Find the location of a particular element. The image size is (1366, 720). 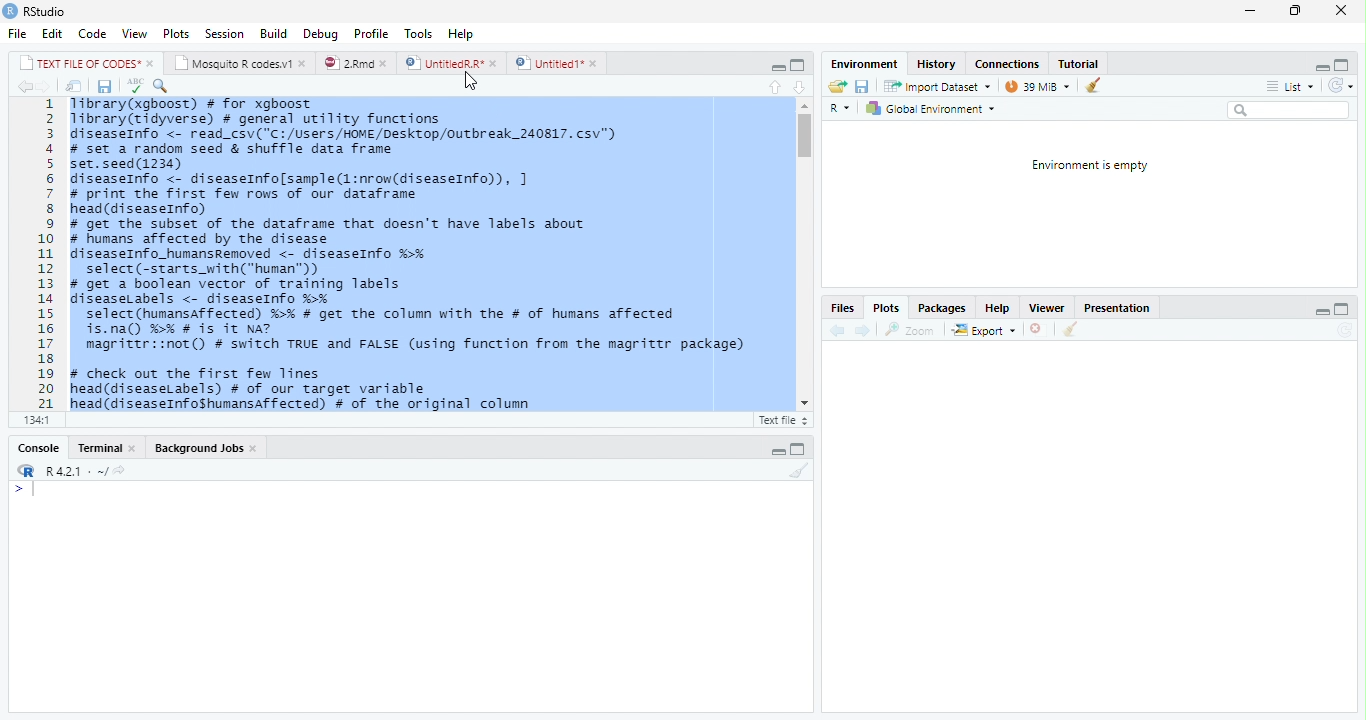

File is located at coordinates (16, 33).